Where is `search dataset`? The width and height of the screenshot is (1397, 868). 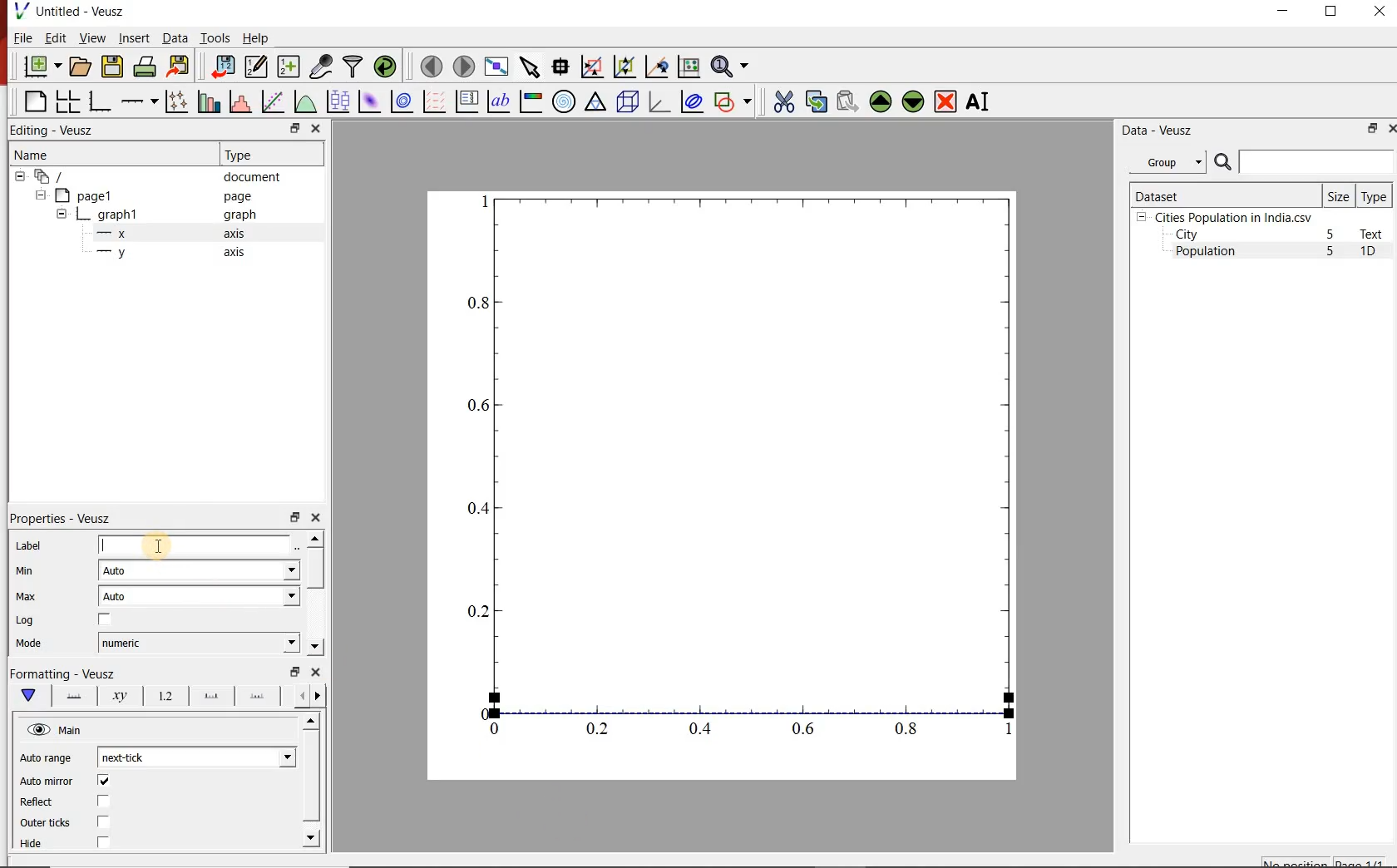
search dataset is located at coordinates (1305, 162).